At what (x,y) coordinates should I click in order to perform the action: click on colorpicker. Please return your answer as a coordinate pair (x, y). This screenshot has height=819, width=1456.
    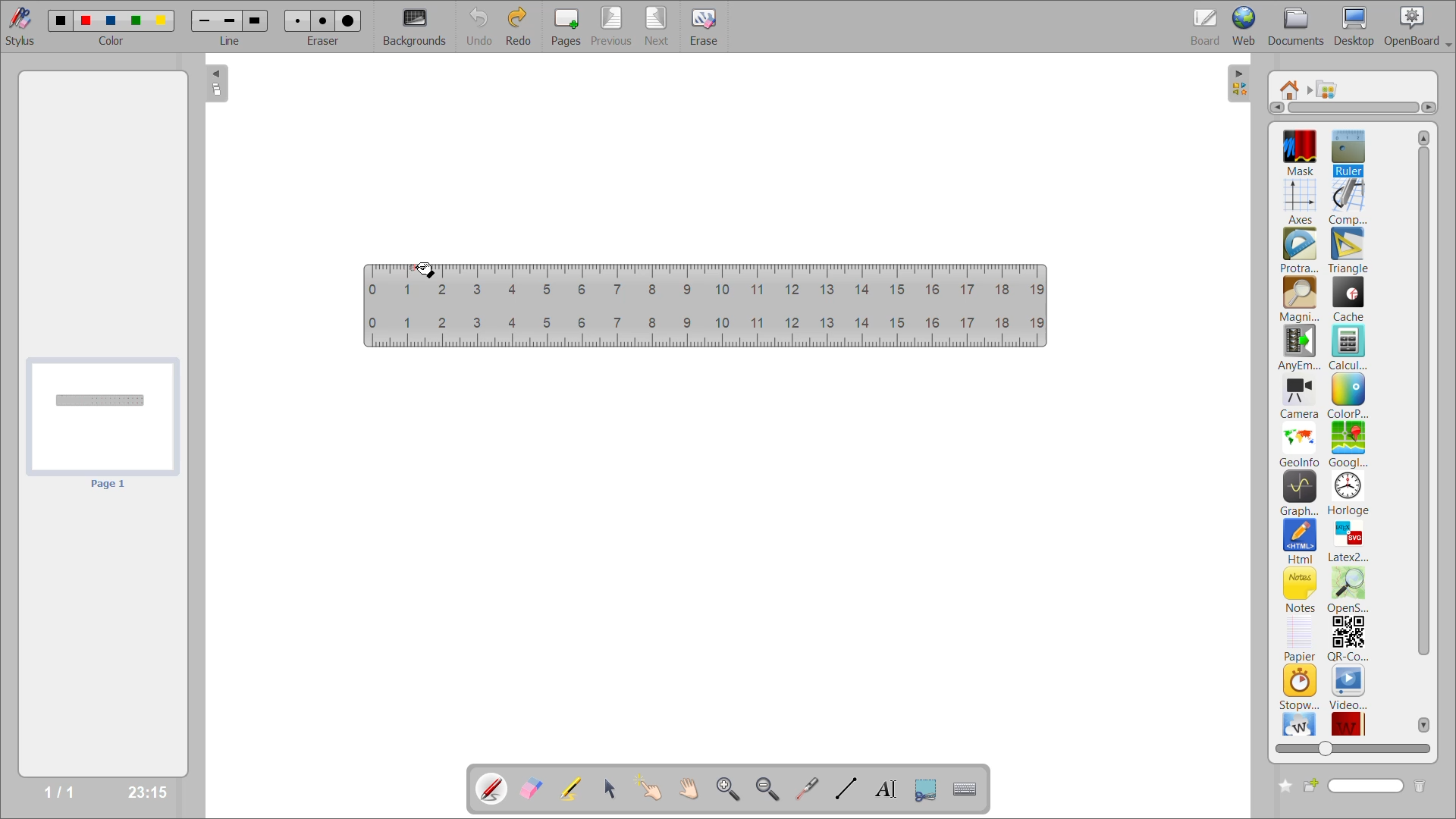
    Looking at the image, I should click on (1348, 396).